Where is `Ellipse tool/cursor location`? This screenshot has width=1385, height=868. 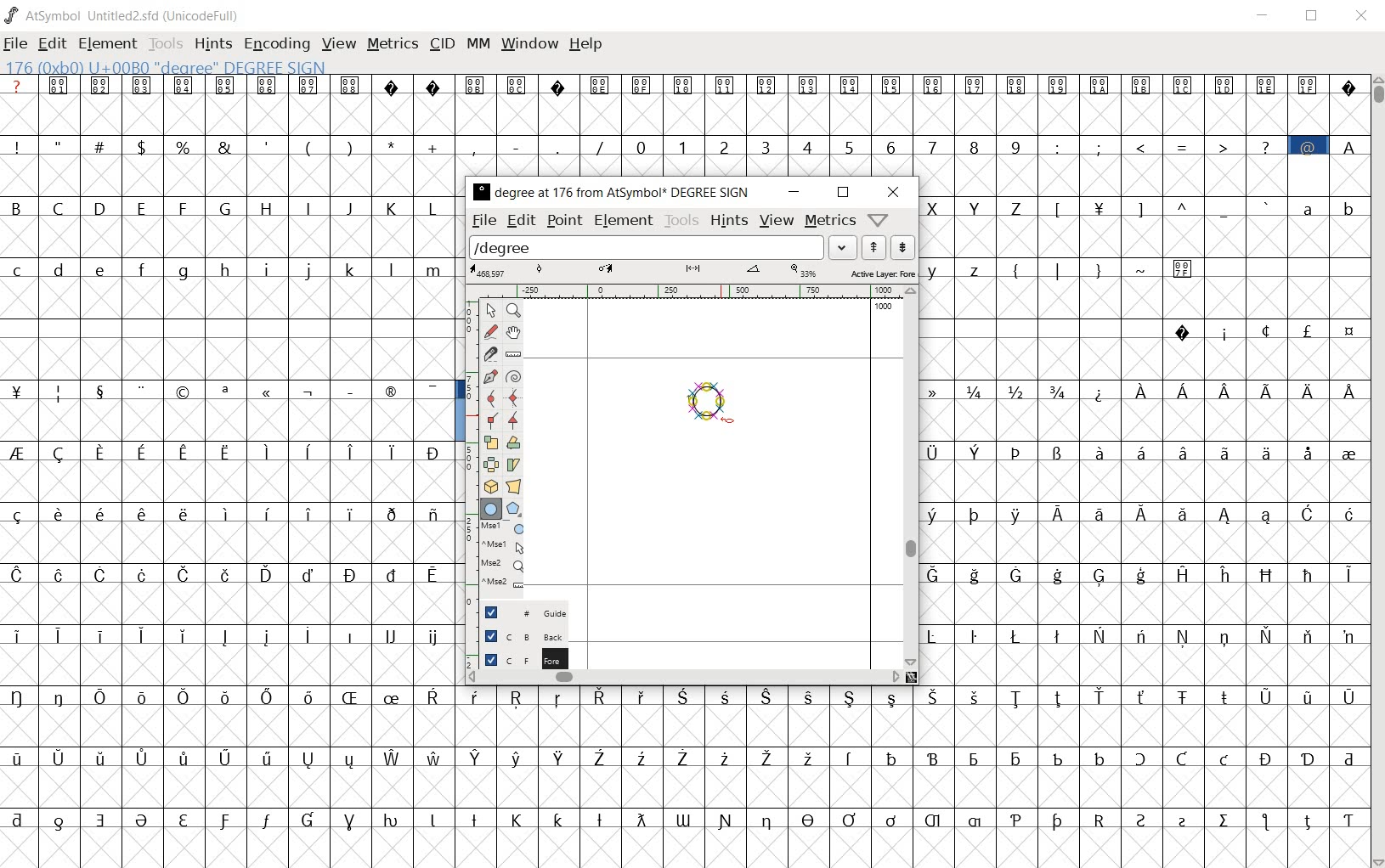 Ellipse tool/cursor location is located at coordinates (727, 421).